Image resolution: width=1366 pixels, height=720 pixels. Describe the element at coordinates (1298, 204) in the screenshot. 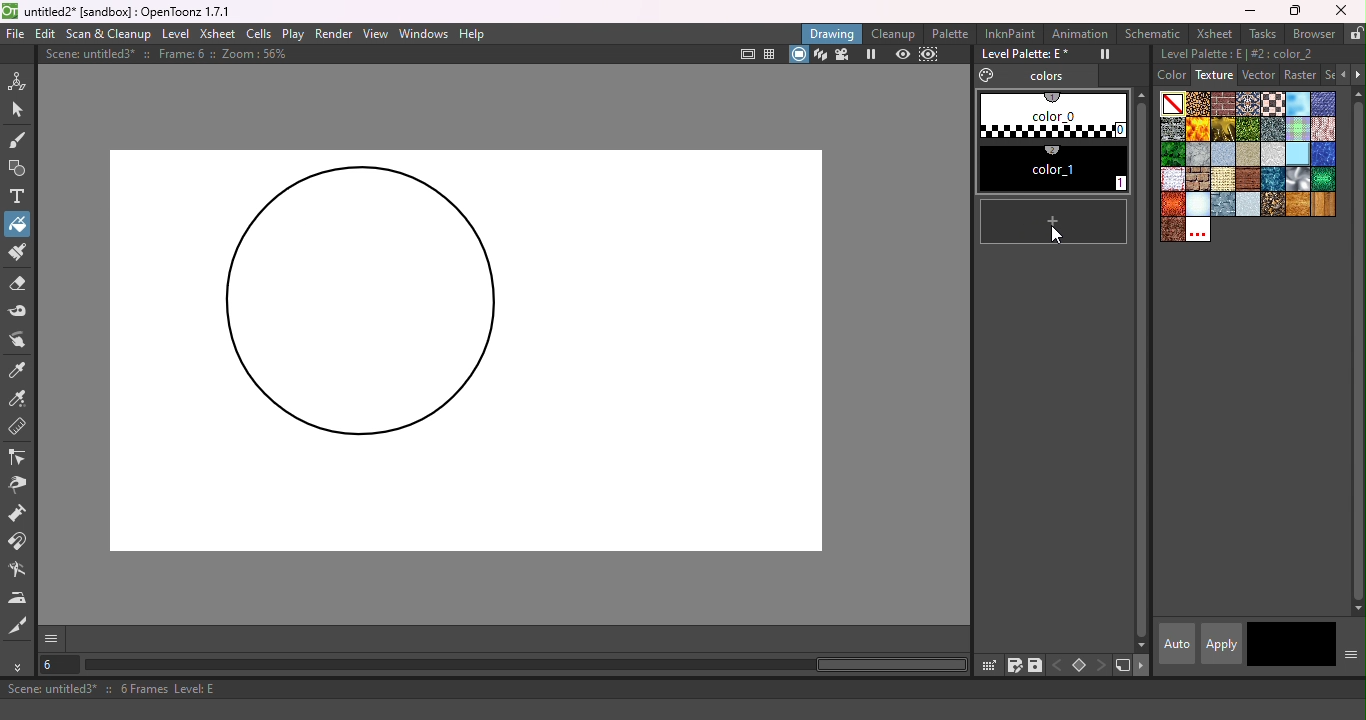

I see `woodgran.bmp` at that location.